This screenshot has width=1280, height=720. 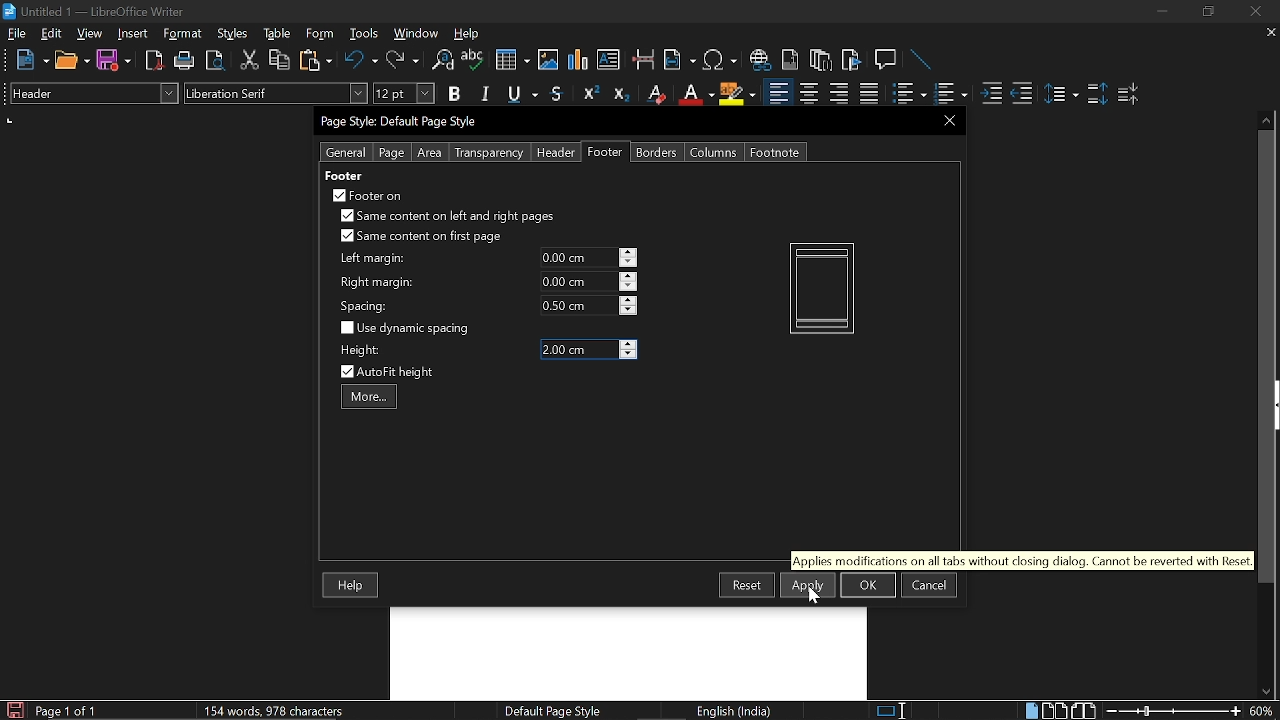 What do you see at coordinates (352, 586) in the screenshot?
I see `Help` at bounding box center [352, 586].